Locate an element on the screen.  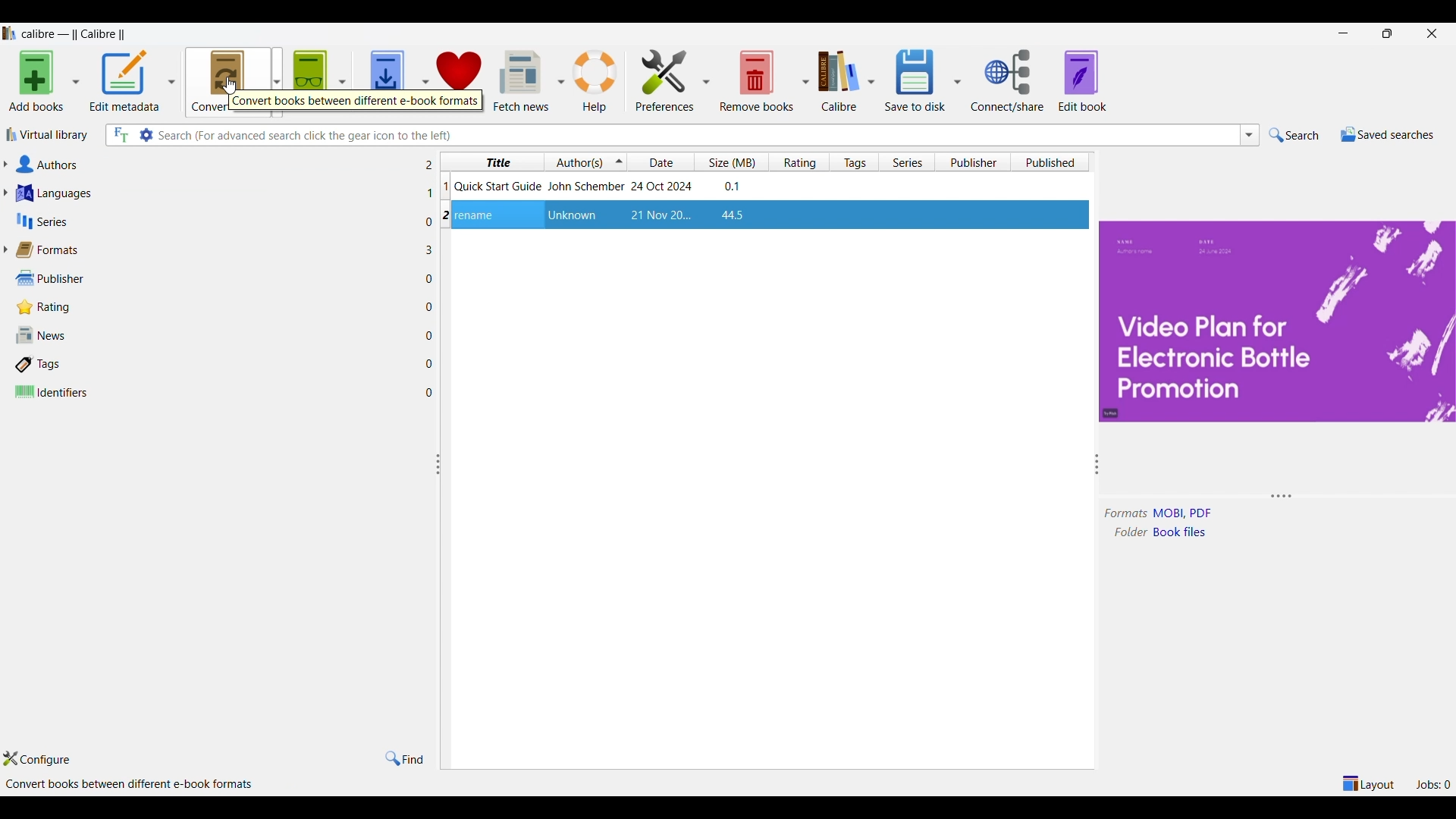
Type in search is located at coordinates (698, 136).